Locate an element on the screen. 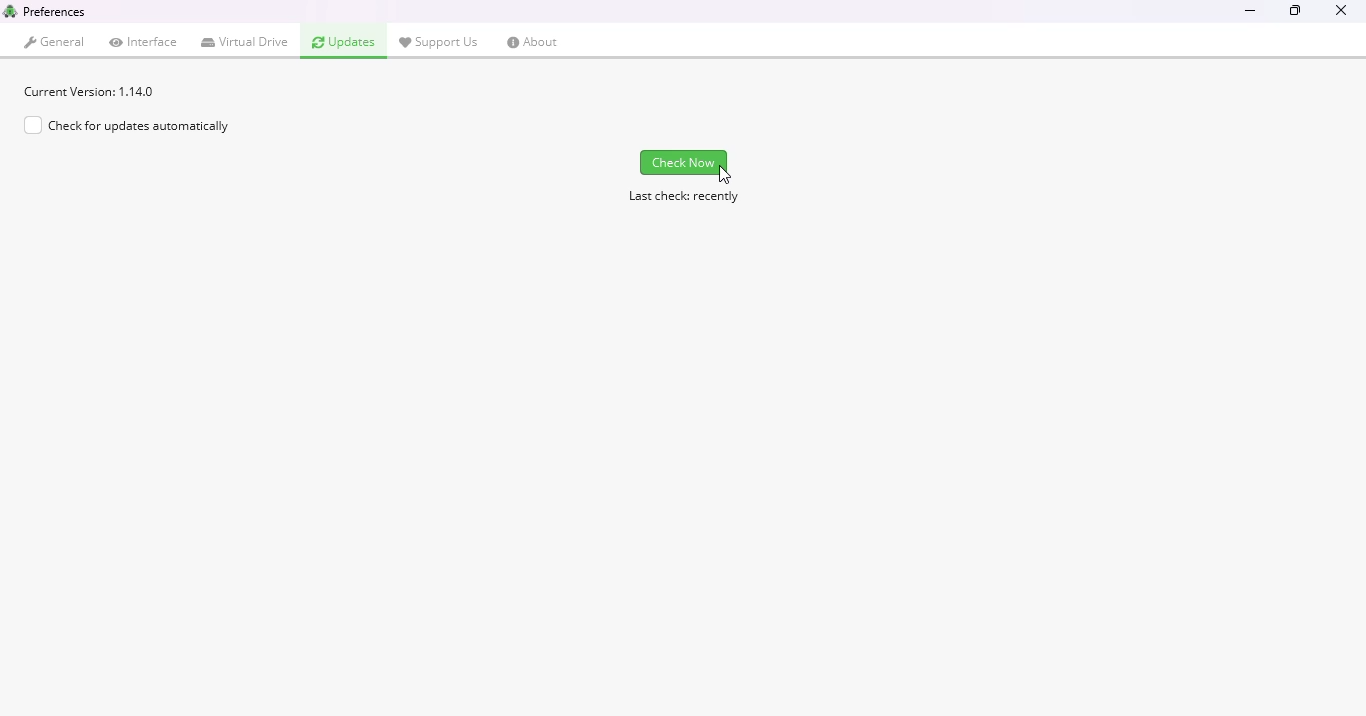 The width and height of the screenshot is (1366, 716). preferences is located at coordinates (55, 11).